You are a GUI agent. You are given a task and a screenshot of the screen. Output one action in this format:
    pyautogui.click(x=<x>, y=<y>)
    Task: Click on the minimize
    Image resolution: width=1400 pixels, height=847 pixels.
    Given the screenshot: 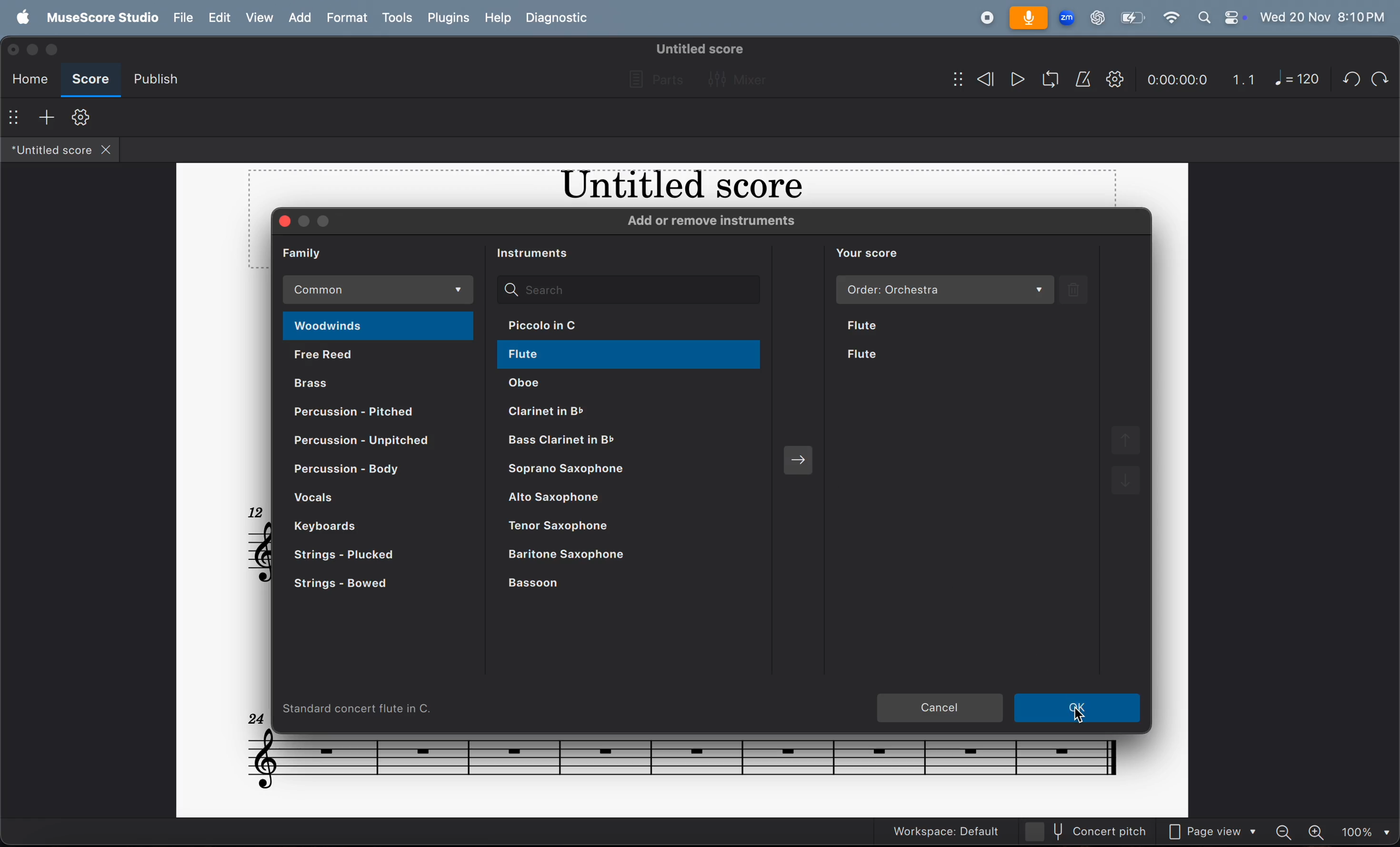 What is the action you would take?
    pyautogui.click(x=36, y=50)
    